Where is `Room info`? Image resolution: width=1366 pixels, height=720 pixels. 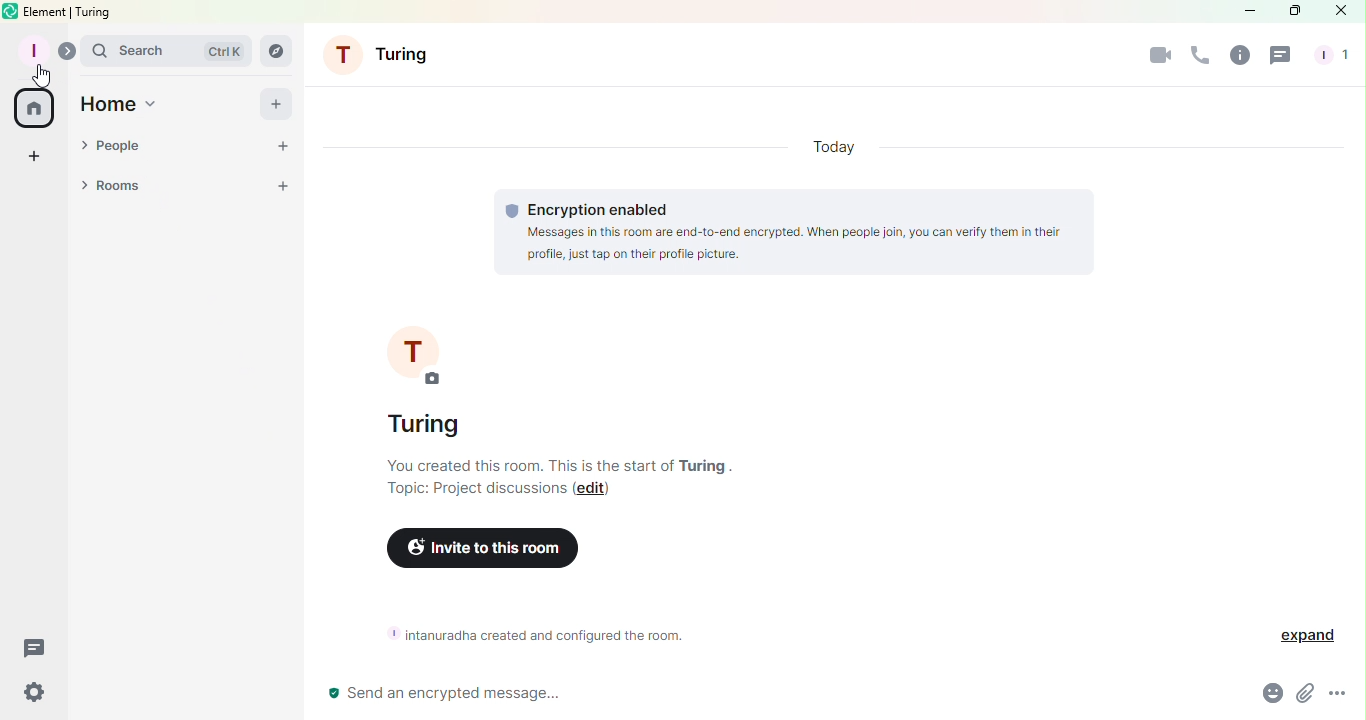 Room info is located at coordinates (1235, 55).